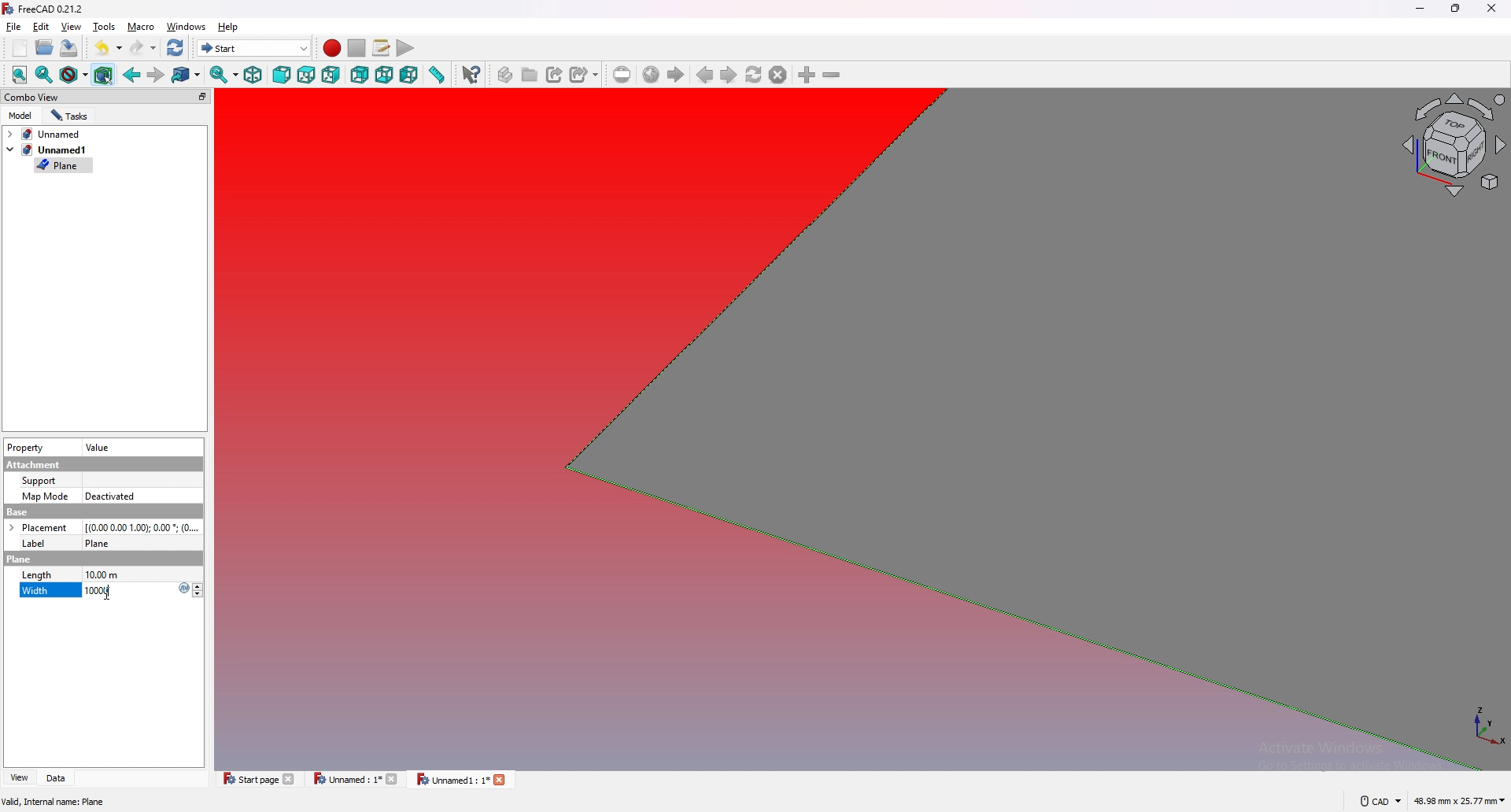  Describe the element at coordinates (1461, 802) in the screenshot. I see `48.98 mm x 25.77 mm` at that location.